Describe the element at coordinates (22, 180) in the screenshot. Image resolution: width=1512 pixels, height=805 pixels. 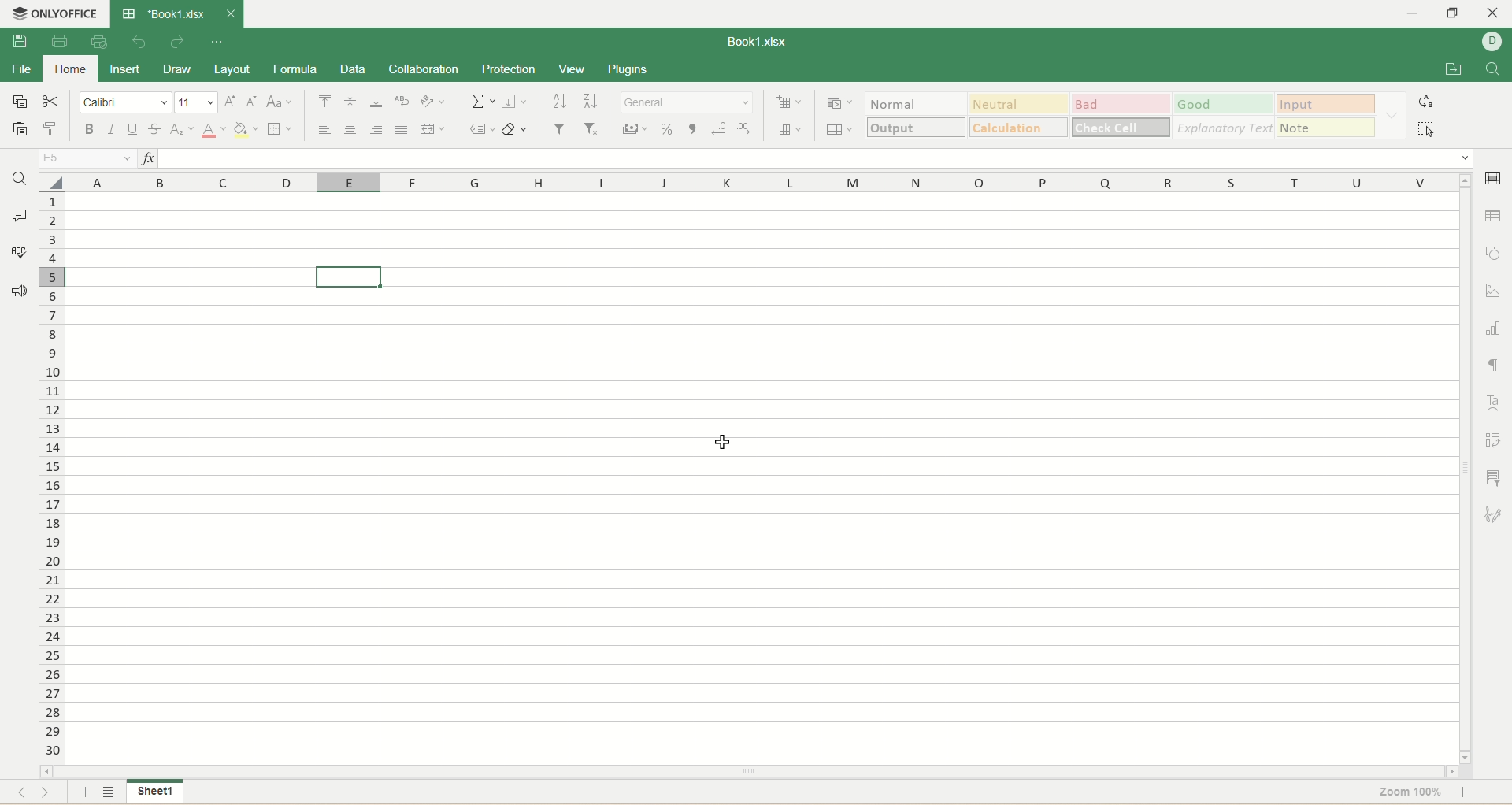
I see `find` at that location.